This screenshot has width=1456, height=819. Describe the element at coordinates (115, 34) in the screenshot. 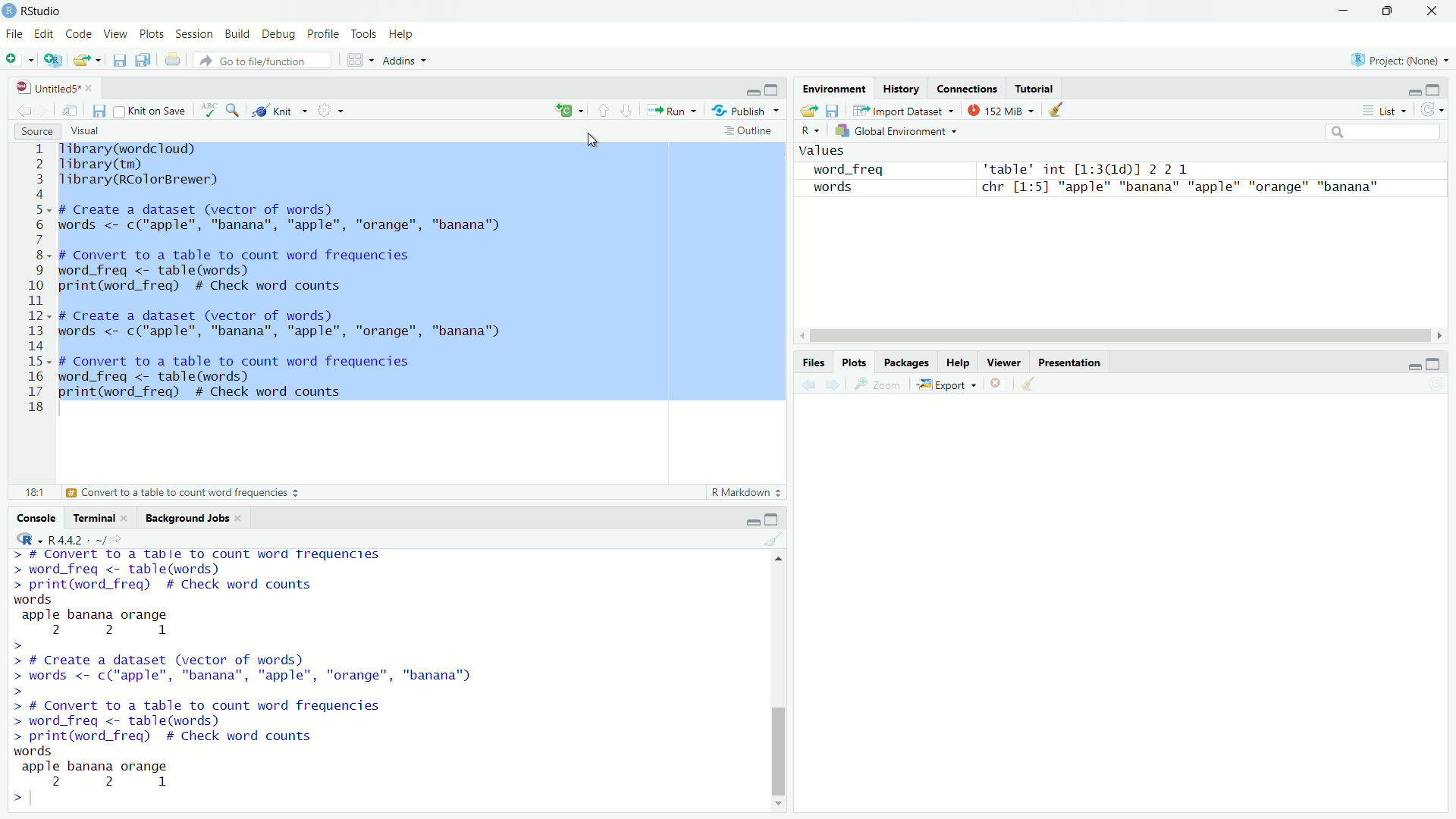

I see `View` at that location.